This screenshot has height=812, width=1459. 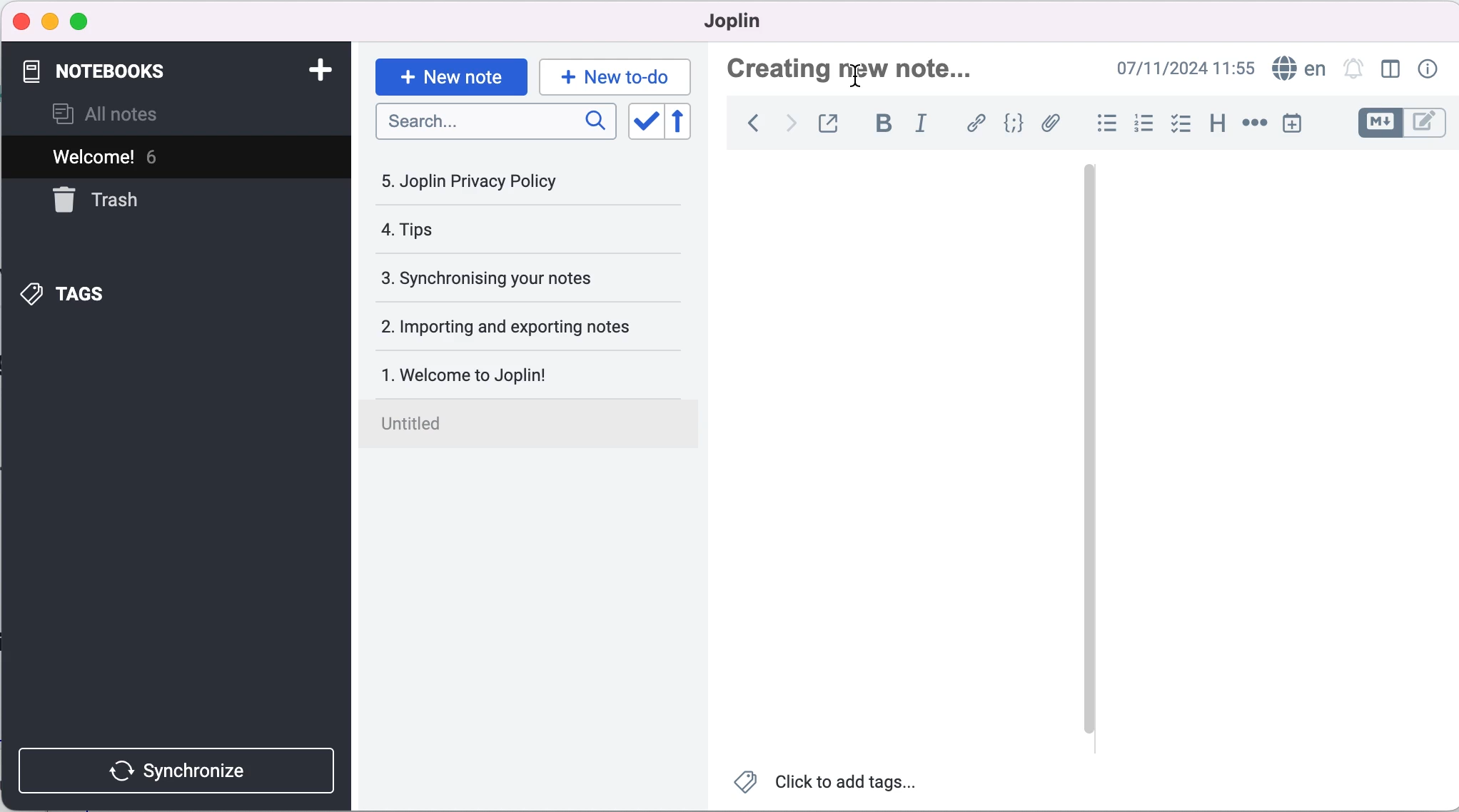 What do you see at coordinates (20, 21) in the screenshot?
I see `close` at bounding box center [20, 21].